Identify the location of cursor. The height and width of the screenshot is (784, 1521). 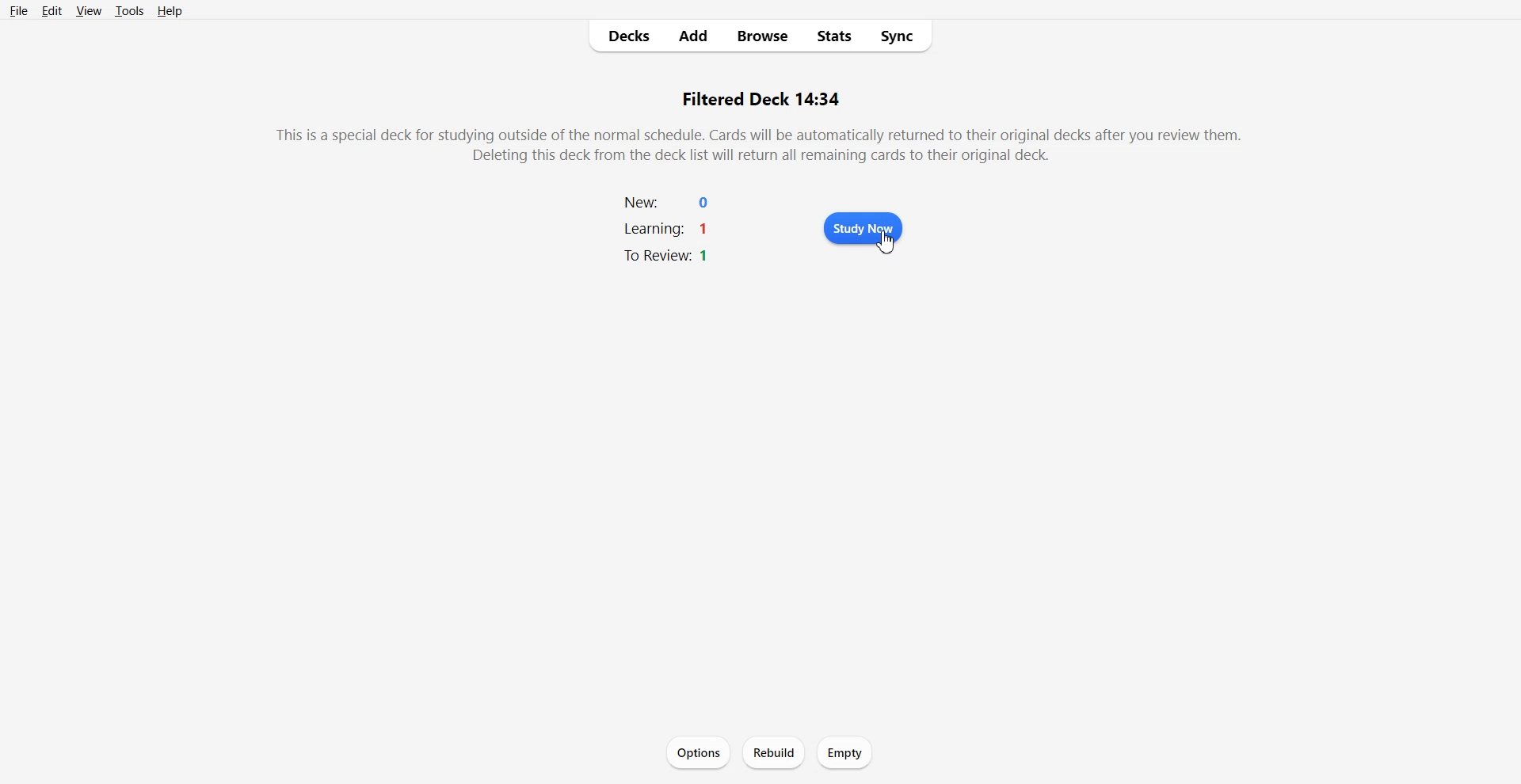
(886, 244).